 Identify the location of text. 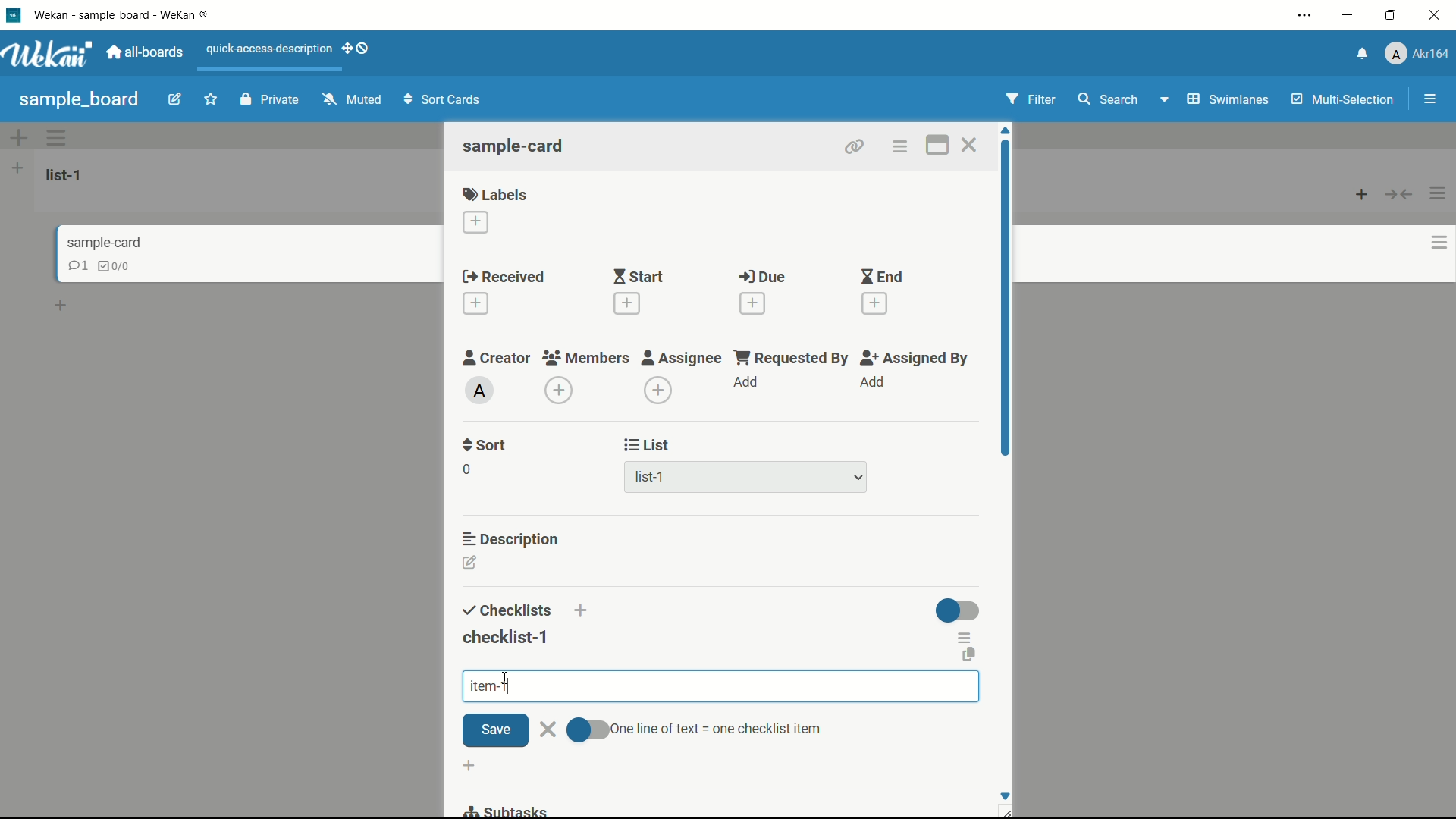
(717, 729).